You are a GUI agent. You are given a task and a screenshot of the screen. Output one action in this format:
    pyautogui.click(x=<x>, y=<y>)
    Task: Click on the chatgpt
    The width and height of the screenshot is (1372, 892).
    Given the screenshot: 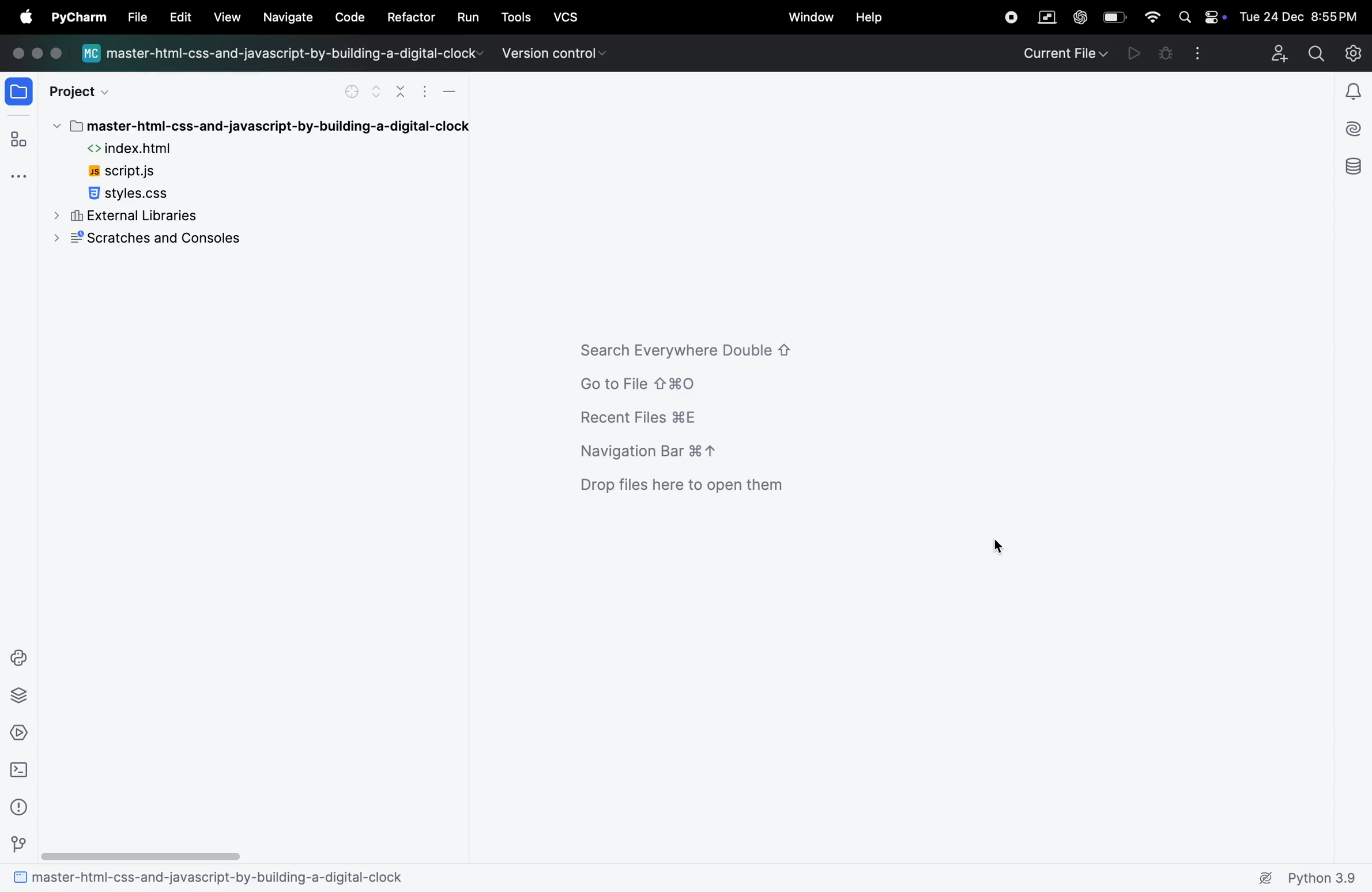 What is the action you would take?
    pyautogui.click(x=1079, y=16)
    